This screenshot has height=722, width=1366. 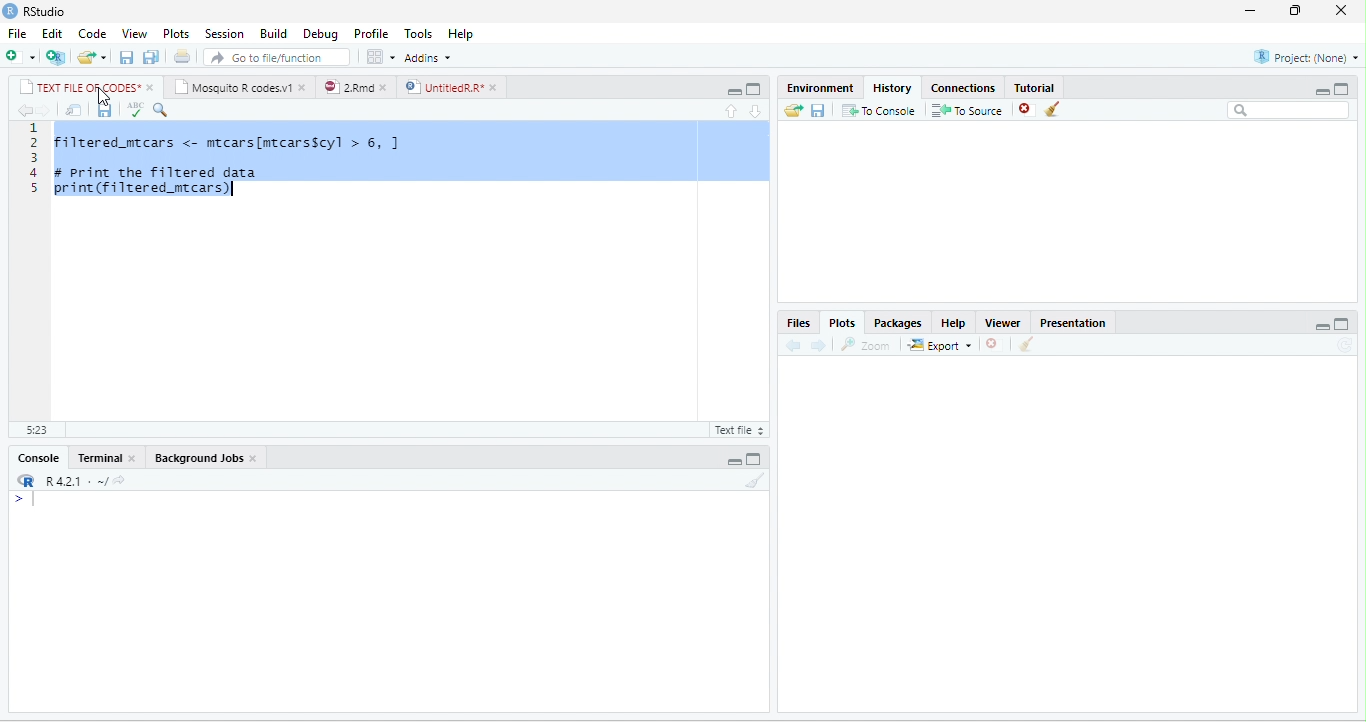 What do you see at coordinates (233, 86) in the screenshot?
I see `Mosquito R codes.v1` at bounding box center [233, 86].